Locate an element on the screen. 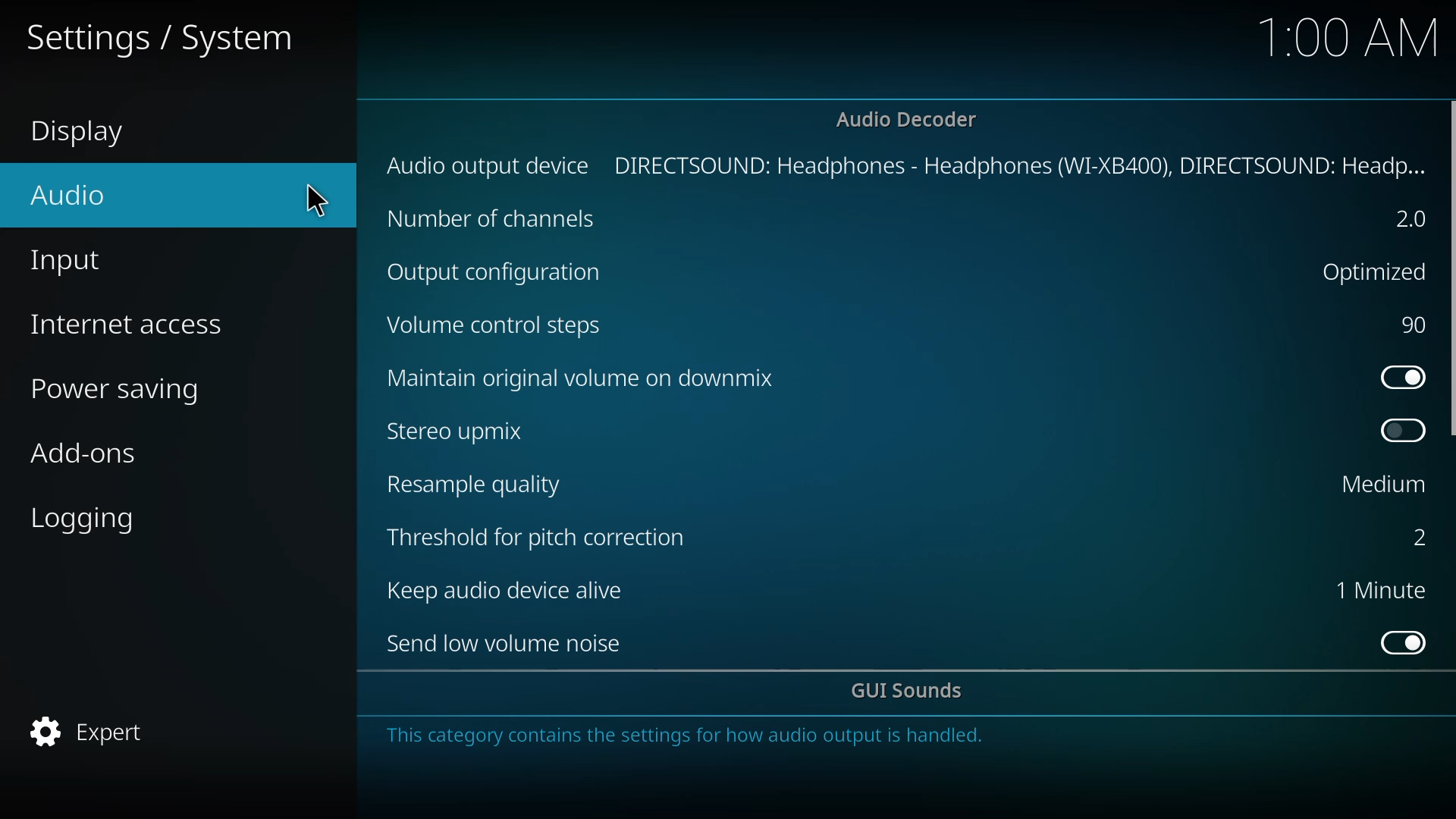  logging is located at coordinates (94, 518).